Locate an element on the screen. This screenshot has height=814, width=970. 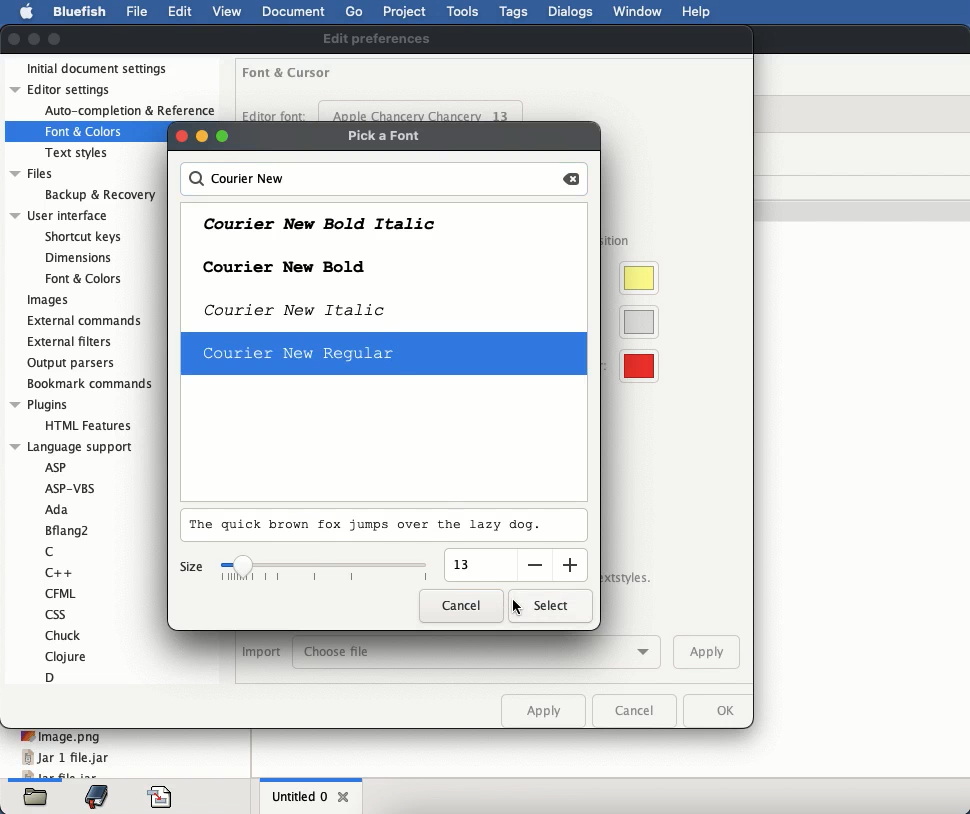
external commands is located at coordinates (84, 321).